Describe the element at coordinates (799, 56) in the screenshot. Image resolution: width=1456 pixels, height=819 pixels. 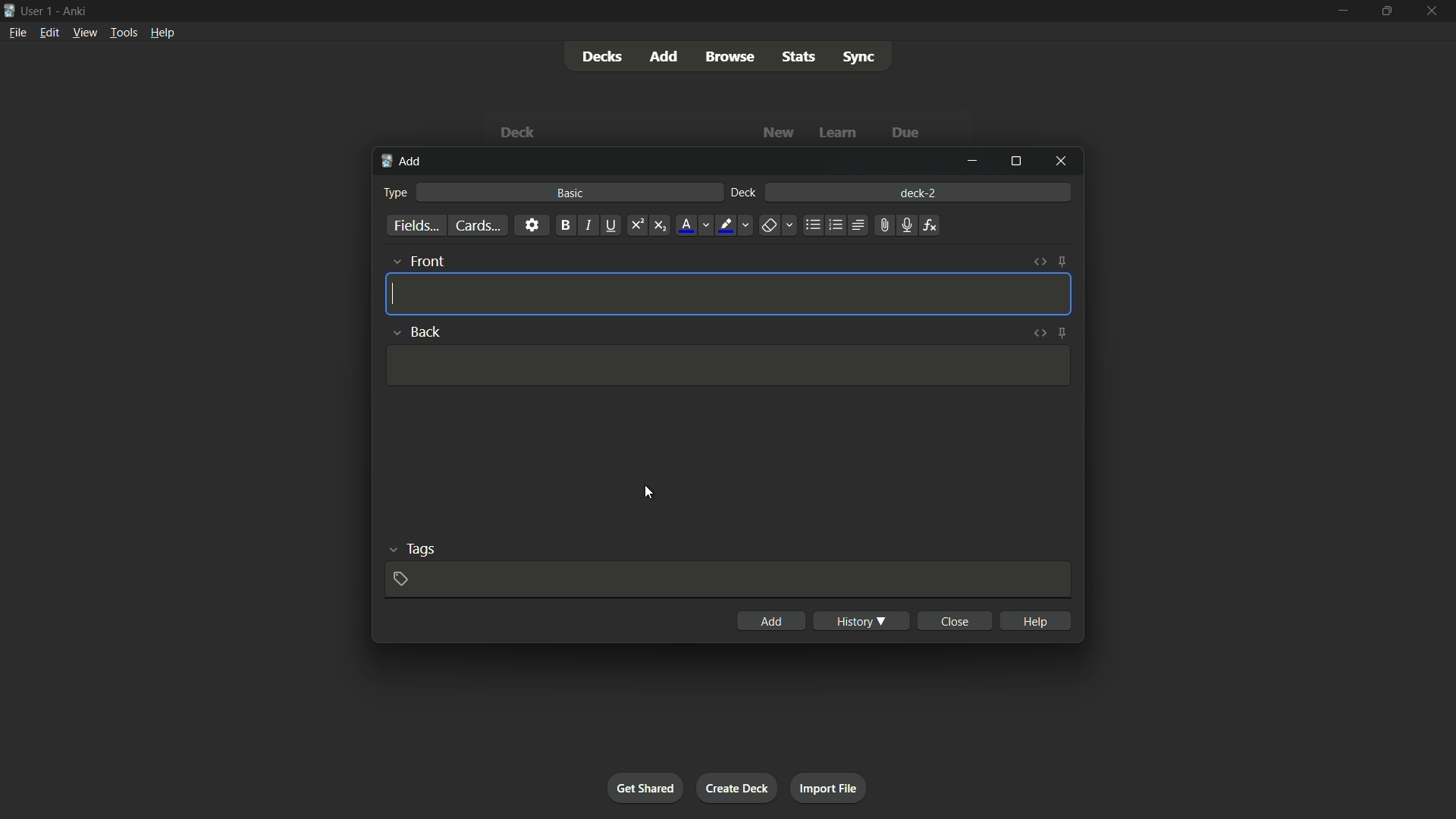
I see `stats` at that location.